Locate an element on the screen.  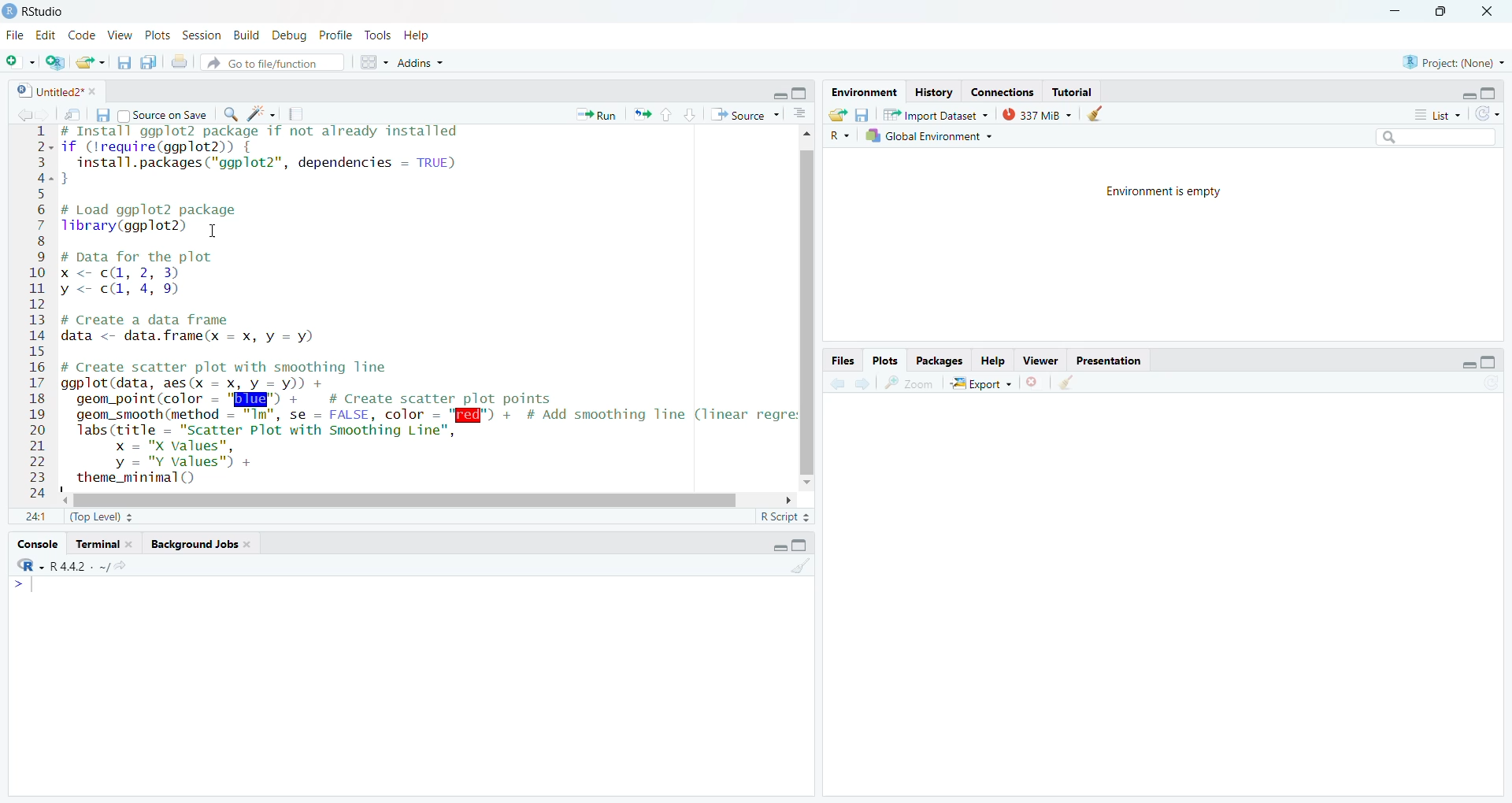
save all open documents is located at coordinates (149, 62).